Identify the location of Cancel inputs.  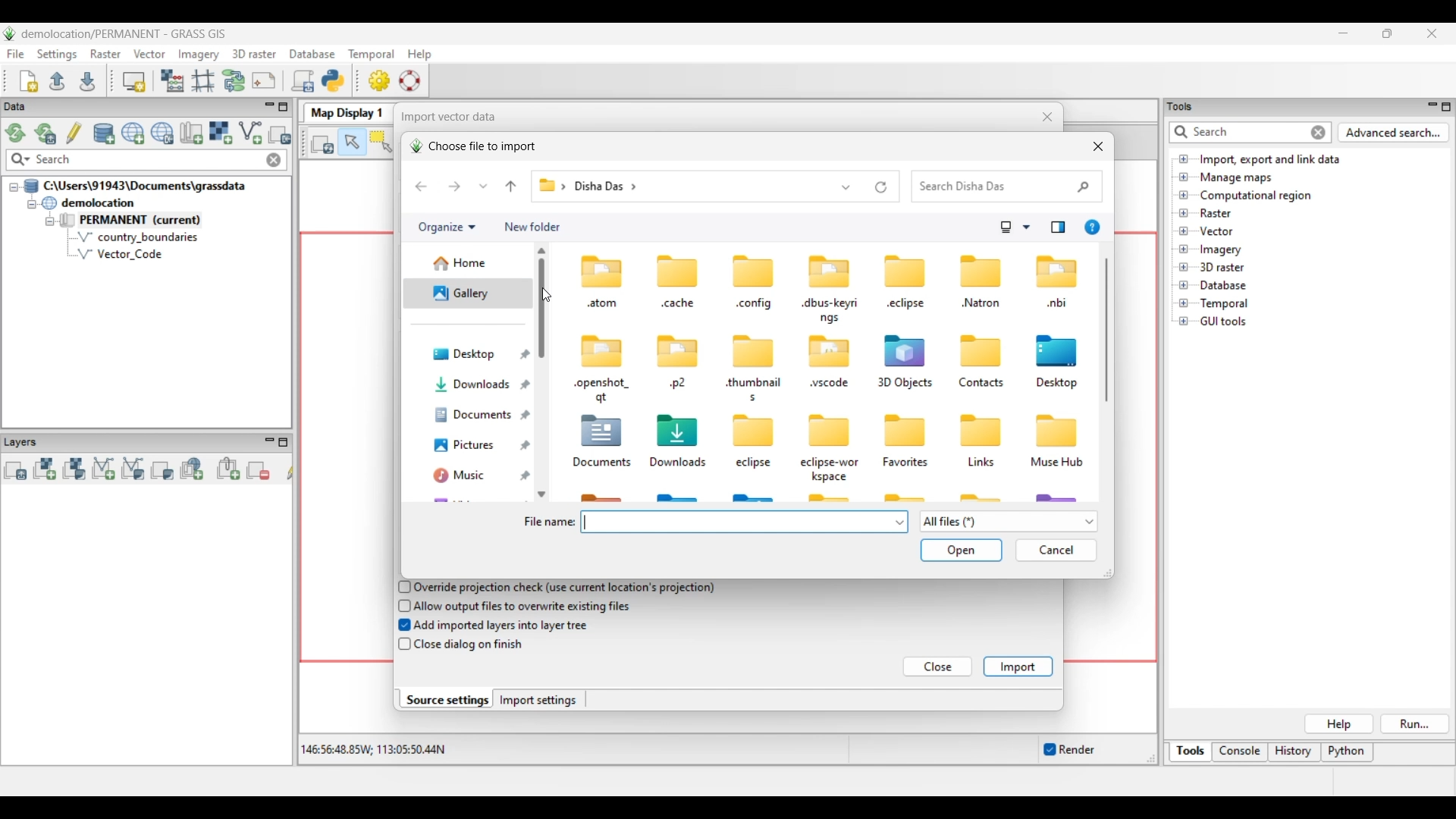
(1056, 551).